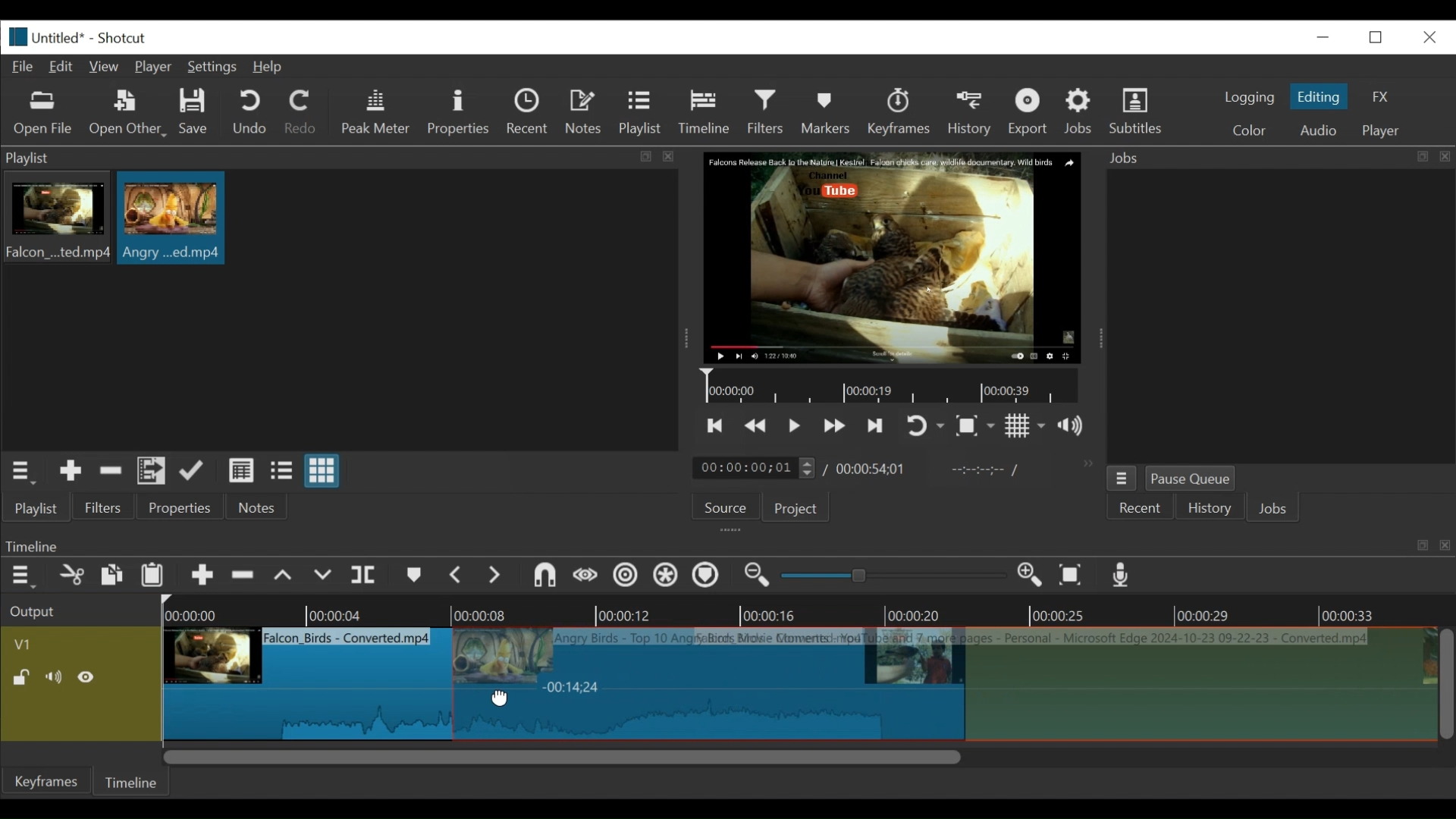  What do you see at coordinates (24, 470) in the screenshot?
I see `playlist menu` at bounding box center [24, 470].